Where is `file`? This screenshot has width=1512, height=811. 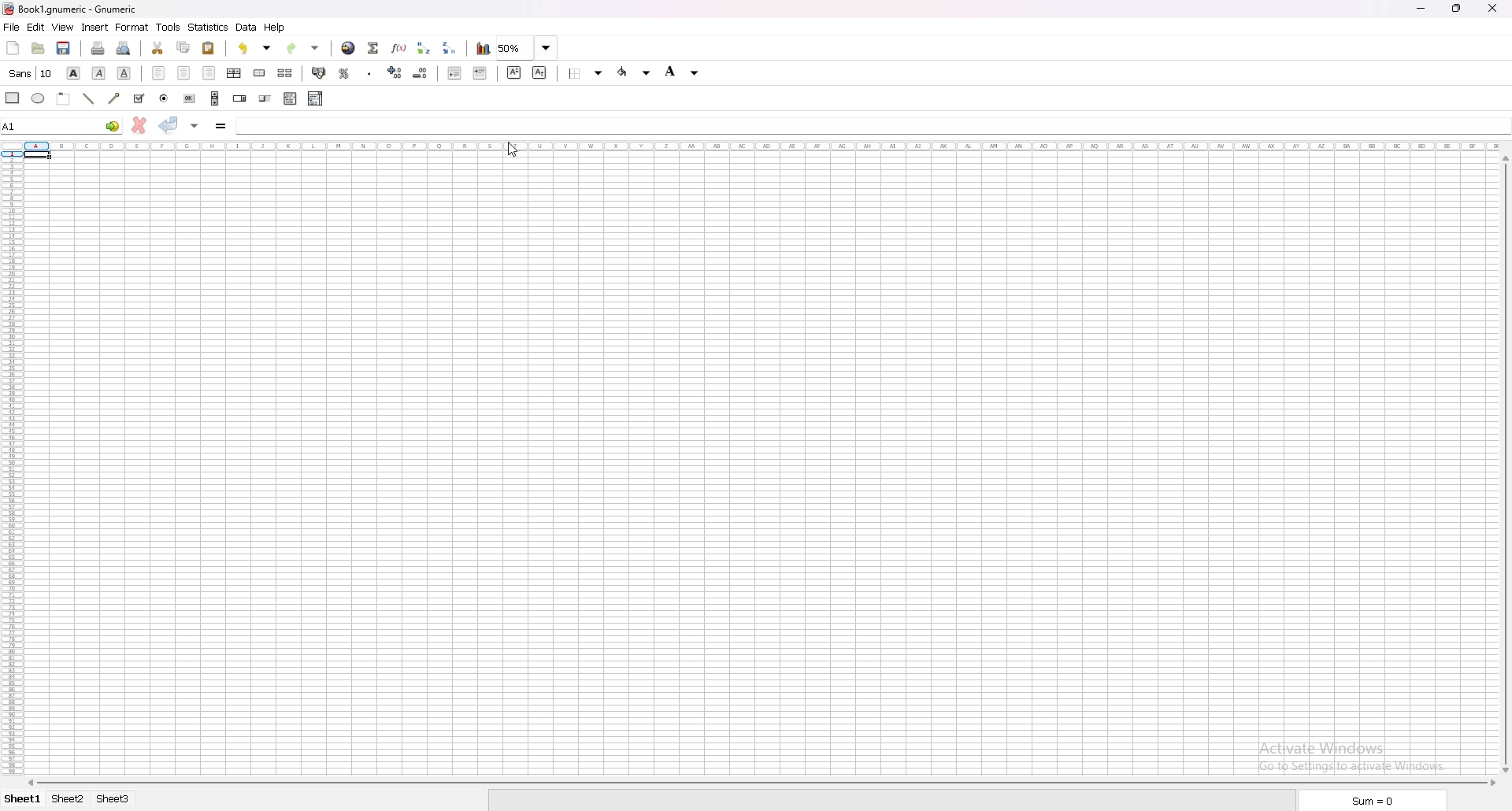
file is located at coordinates (13, 27).